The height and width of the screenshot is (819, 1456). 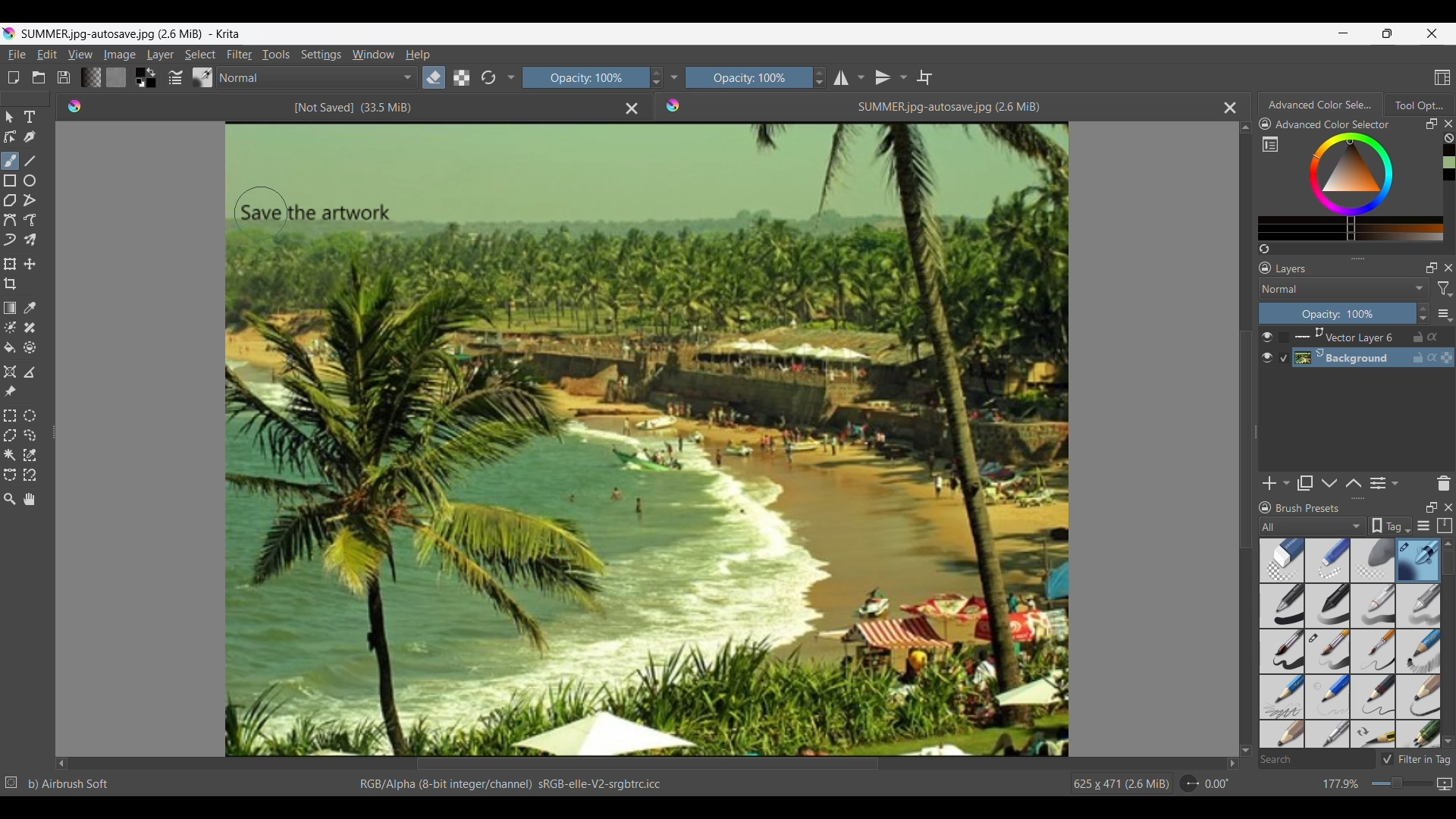 What do you see at coordinates (9, 372) in the screenshot?
I see `Assistant tool` at bounding box center [9, 372].